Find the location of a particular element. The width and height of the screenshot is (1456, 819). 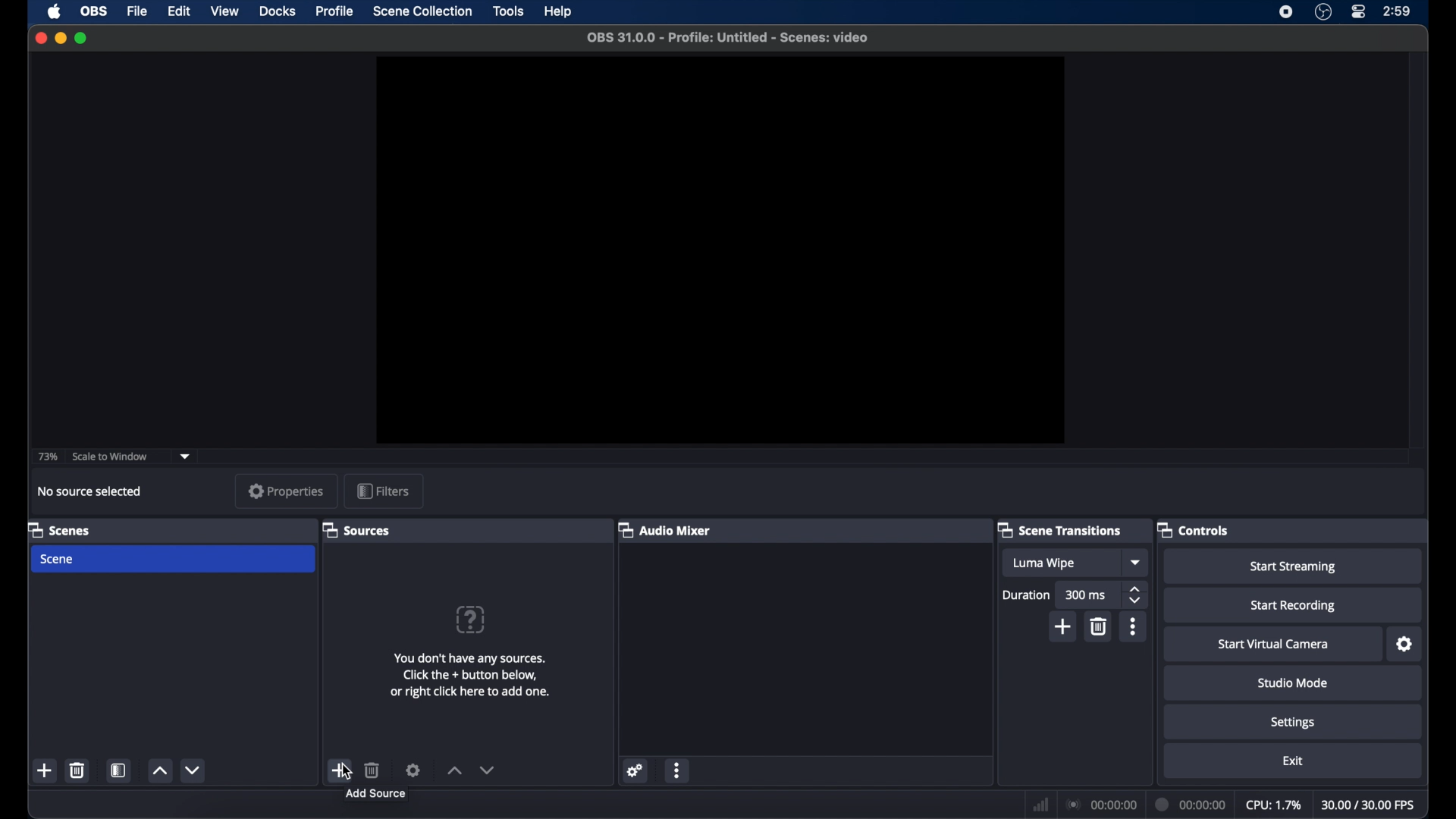

edit is located at coordinates (179, 12).